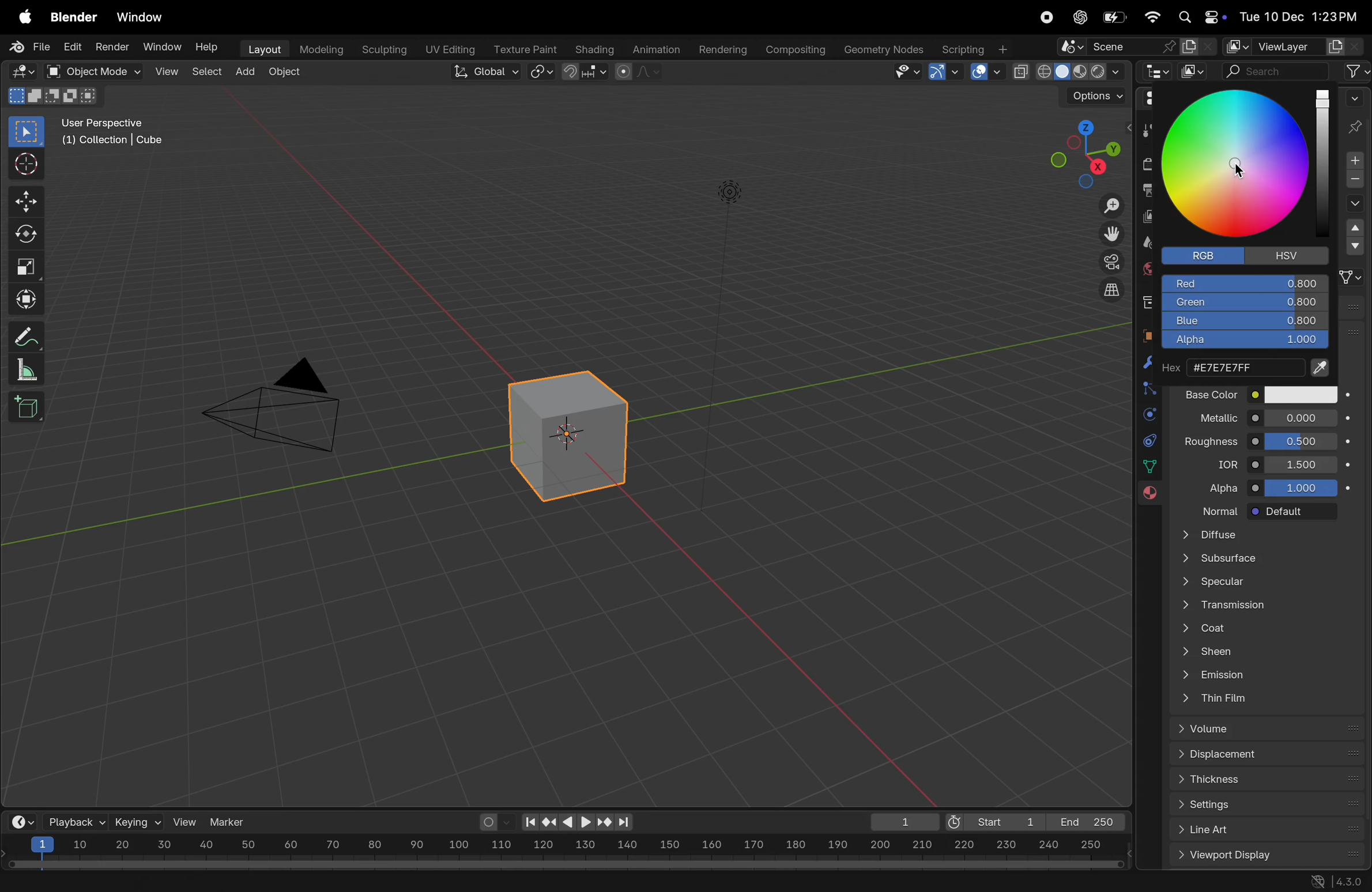 Image resolution: width=1372 pixels, height=892 pixels. What do you see at coordinates (285, 73) in the screenshot?
I see `object` at bounding box center [285, 73].